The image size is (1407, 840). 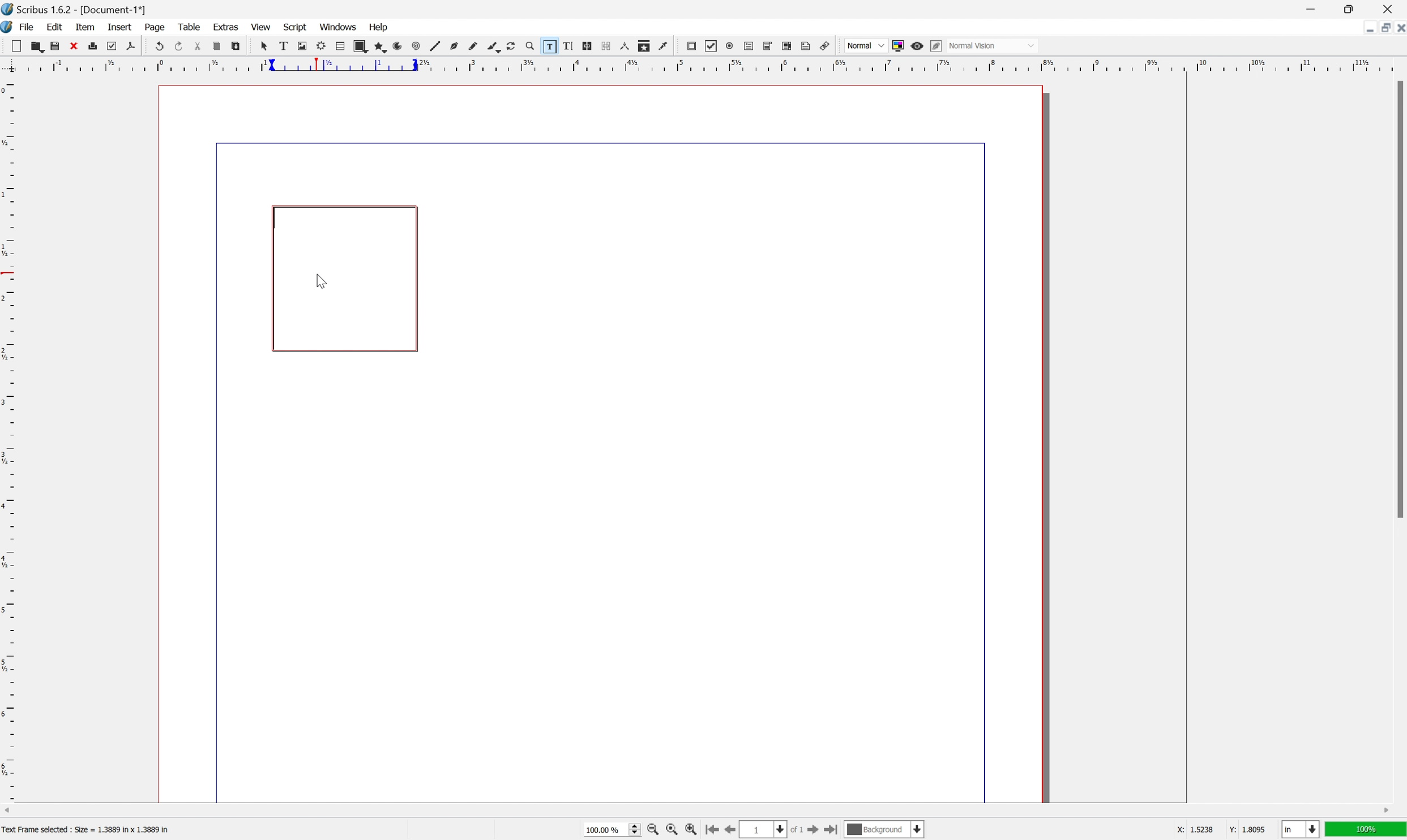 I want to click on polygon, so click(x=382, y=48).